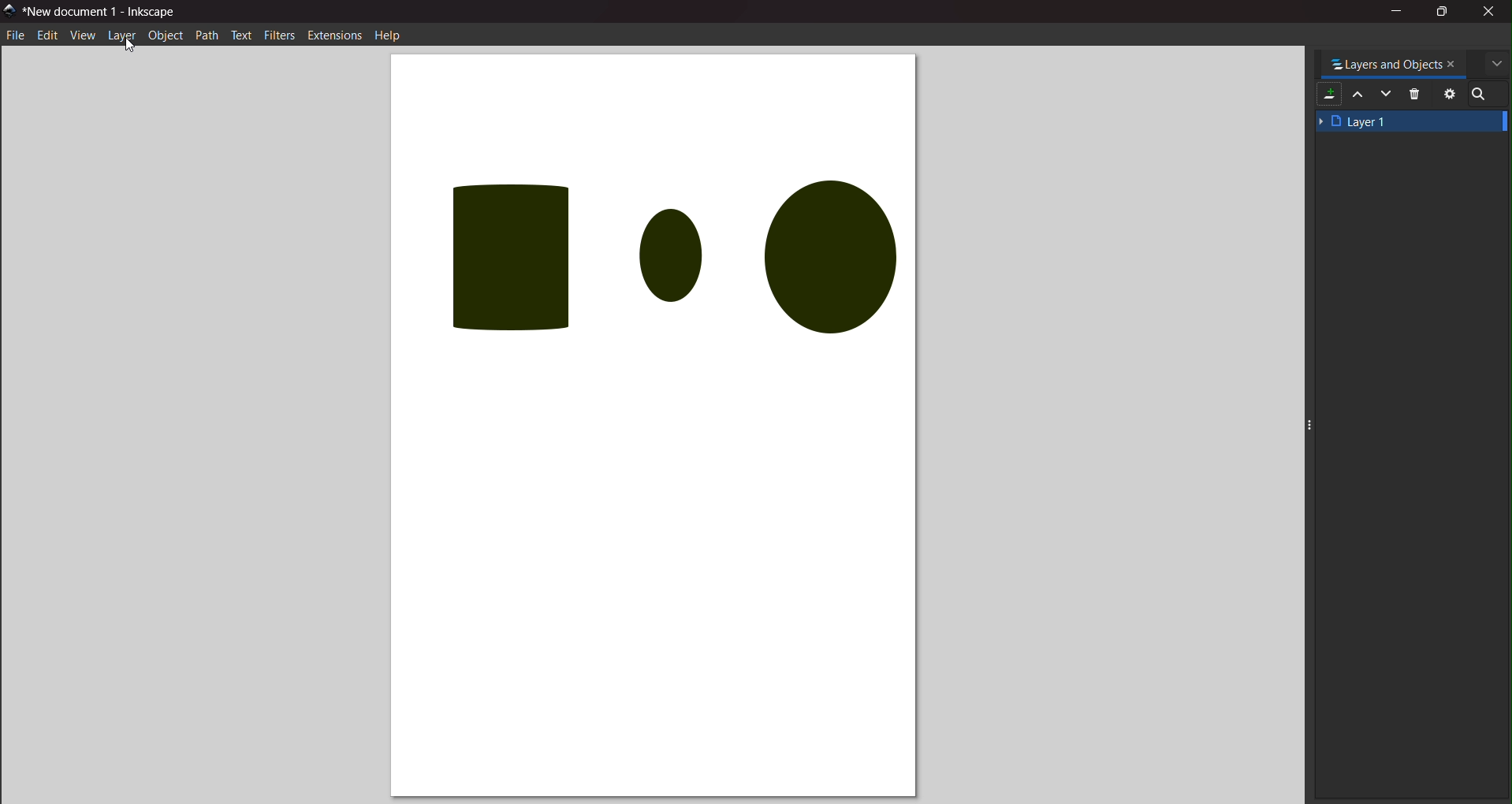  What do you see at coordinates (1454, 64) in the screenshot?
I see `close tab` at bounding box center [1454, 64].